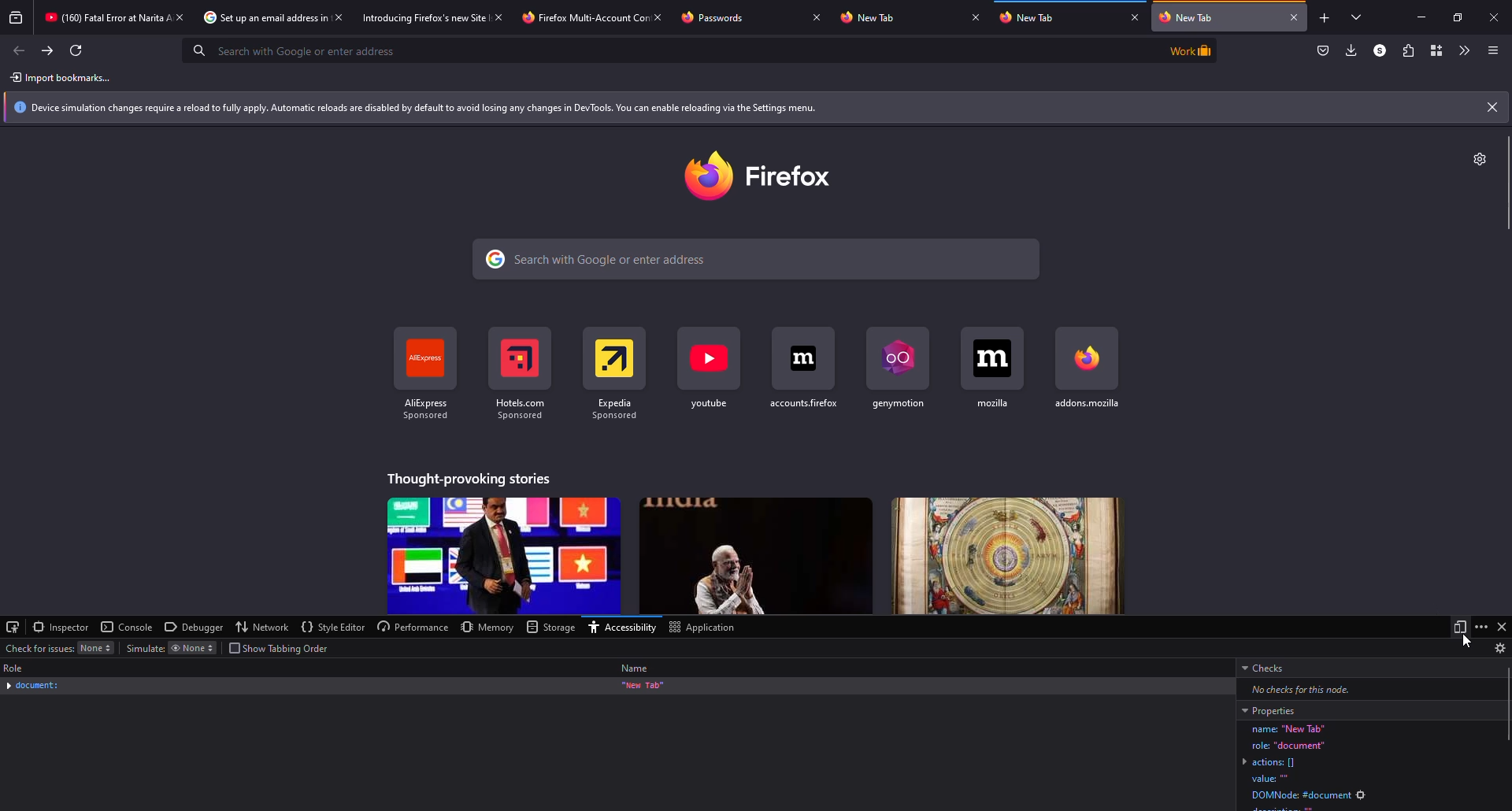 This screenshot has height=811, width=1512. What do you see at coordinates (1266, 668) in the screenshot?
I see `checks` at bounding box center [1266, 668].